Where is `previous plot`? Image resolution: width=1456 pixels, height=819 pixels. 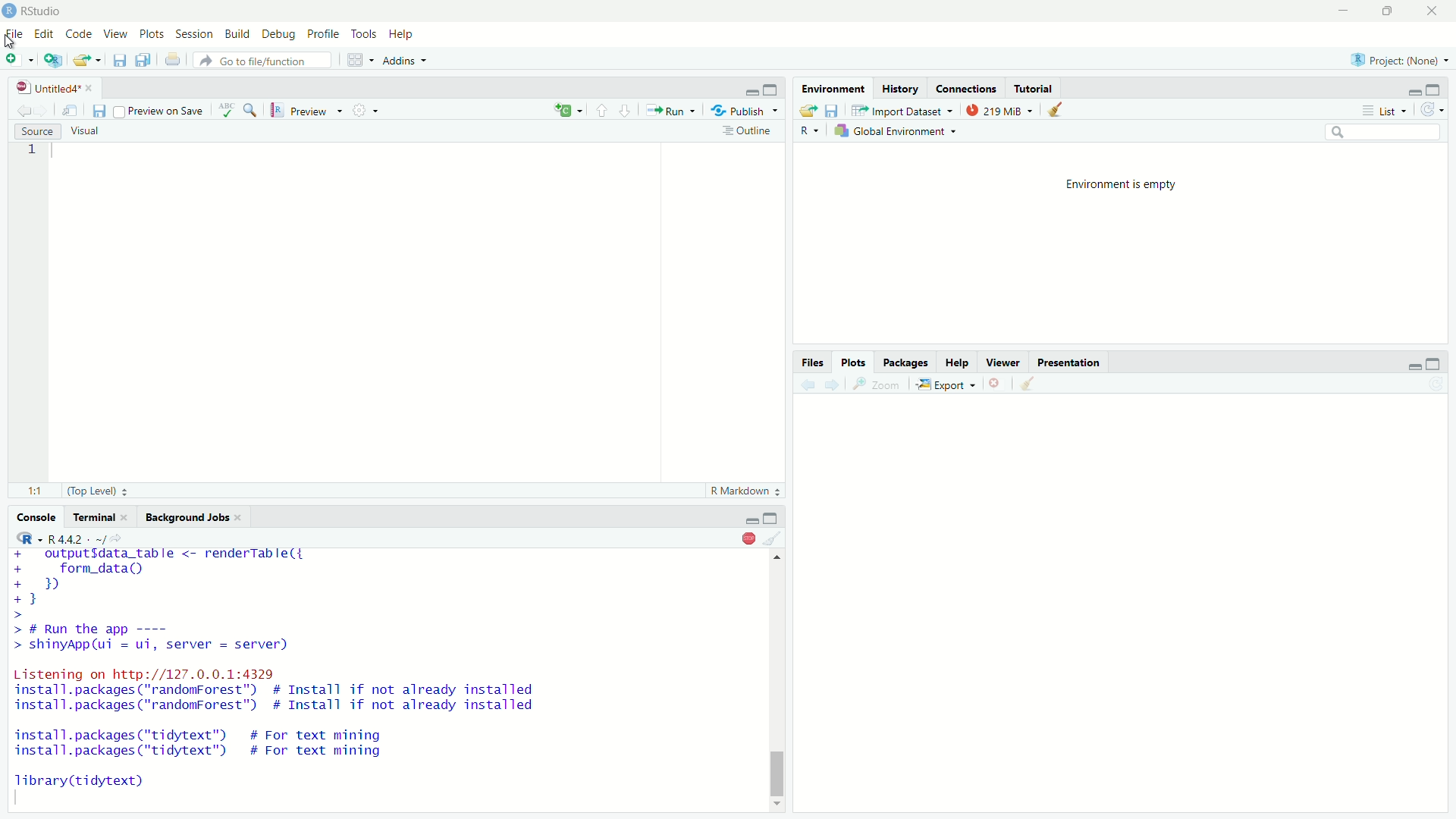 previous plot is located at coordinates (807, 384).